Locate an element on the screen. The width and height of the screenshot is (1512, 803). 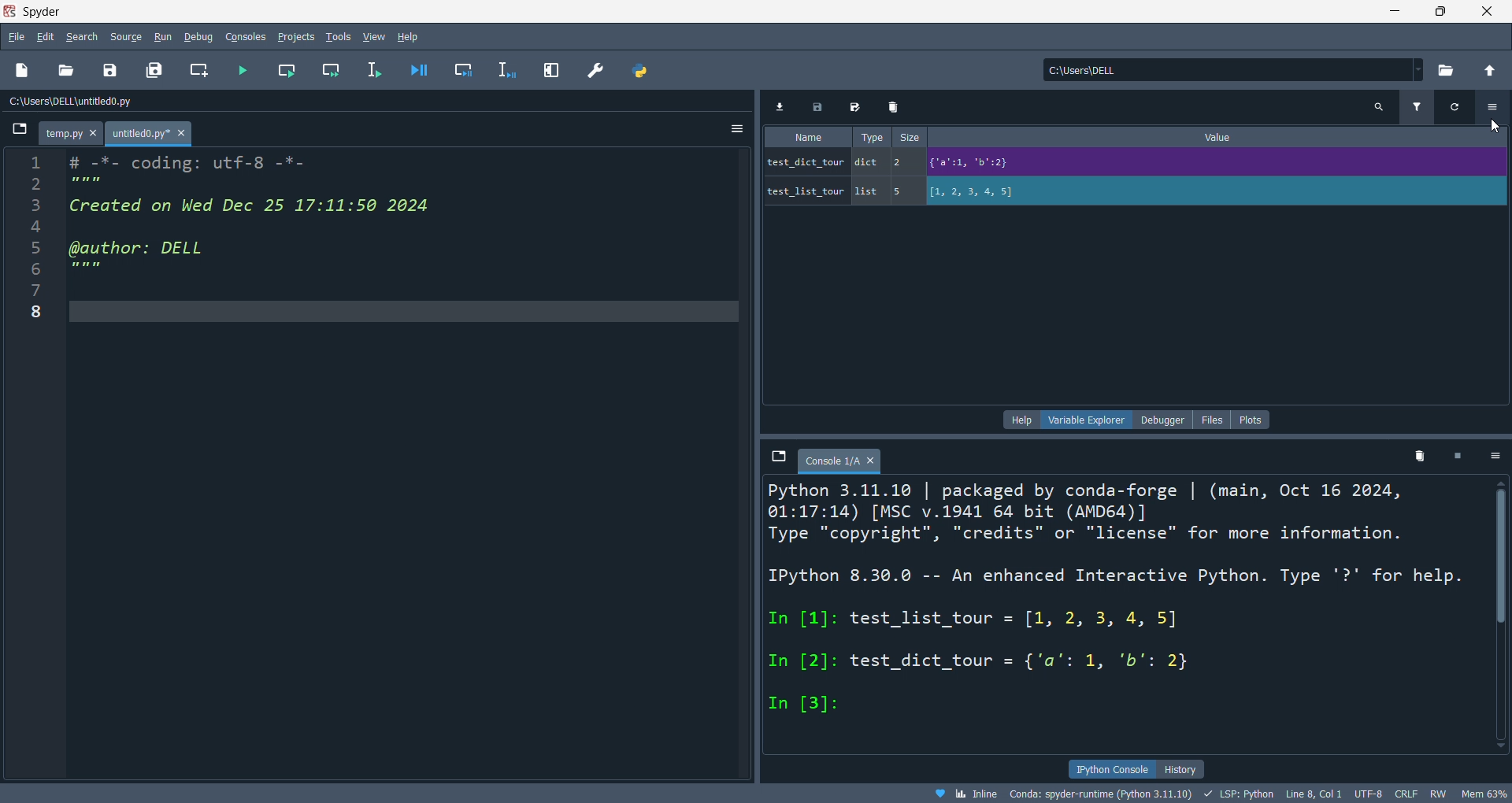
delete is located at coordinates (1421, 457).